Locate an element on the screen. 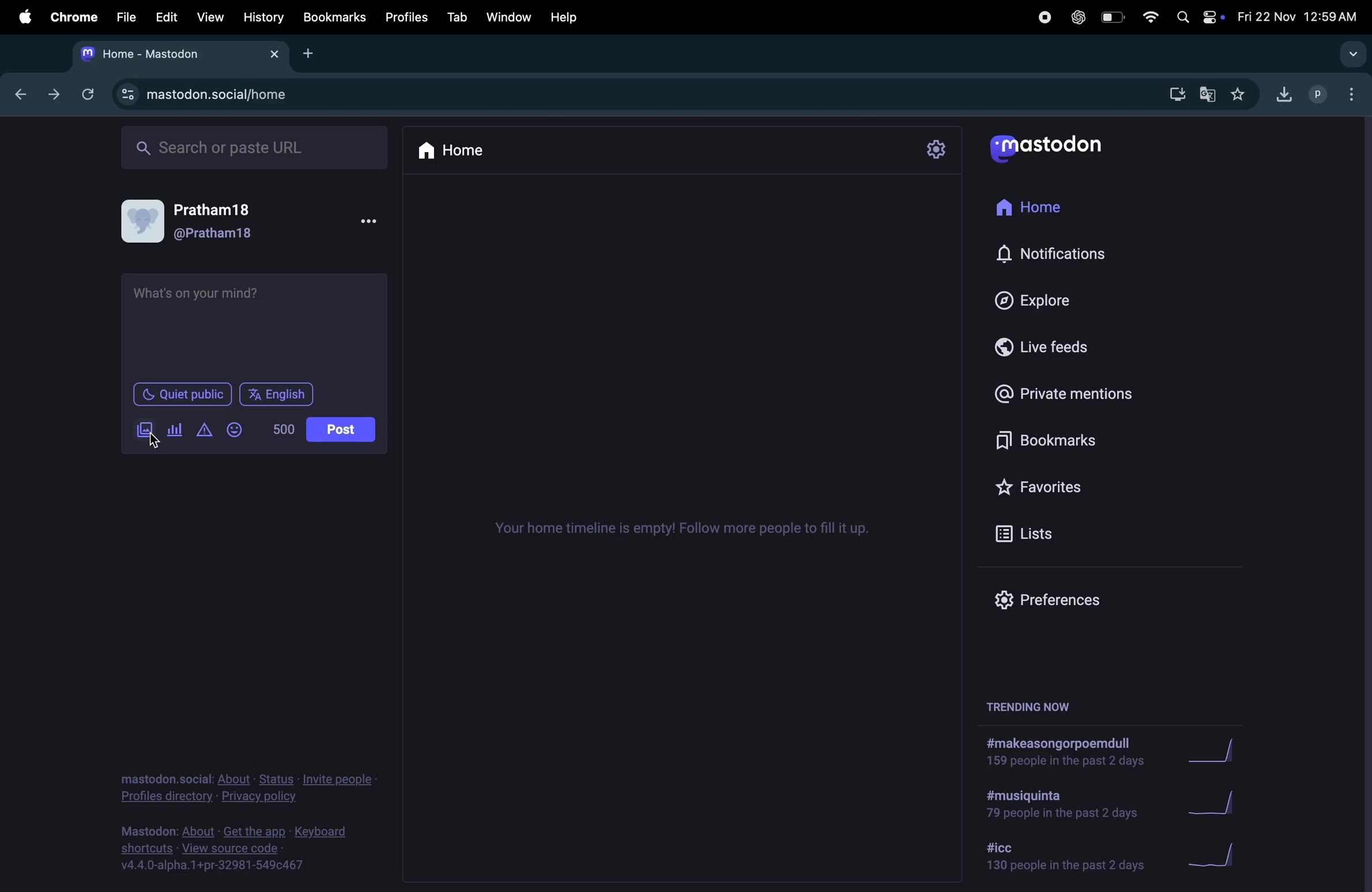  wifi is located at coordinates (1148, 16).